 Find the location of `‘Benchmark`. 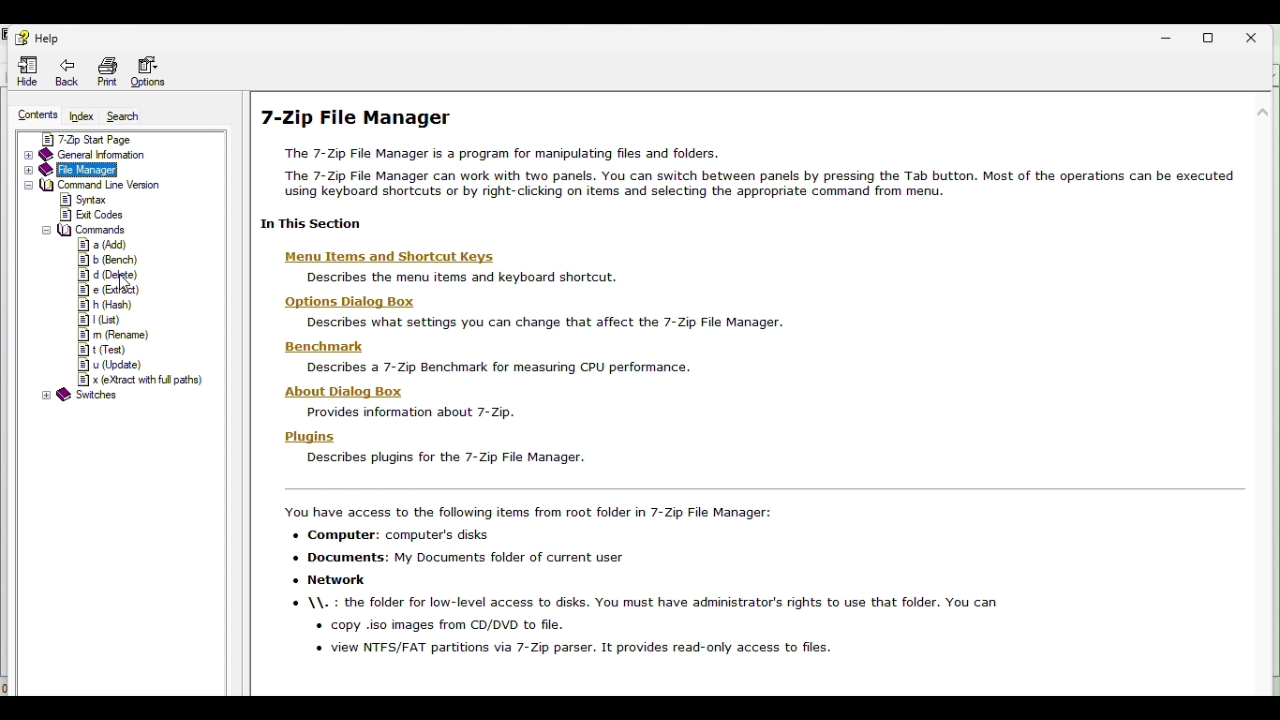

‘Benchmark is located at coordinates (318, 347).